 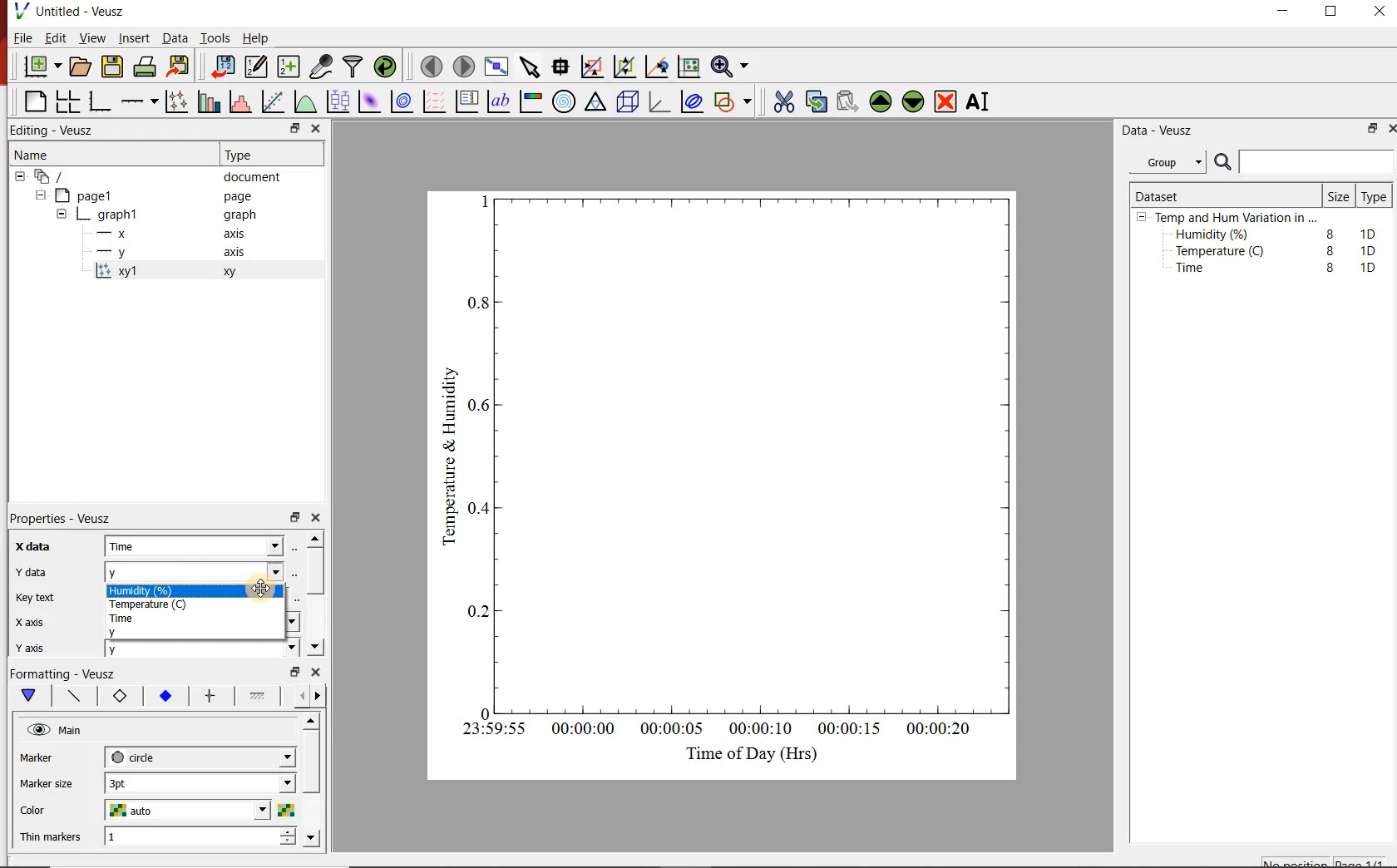 What do you see at coordinates (113, 67) in the screenshot?
I see `save the document` at bounding box center [113, 67].